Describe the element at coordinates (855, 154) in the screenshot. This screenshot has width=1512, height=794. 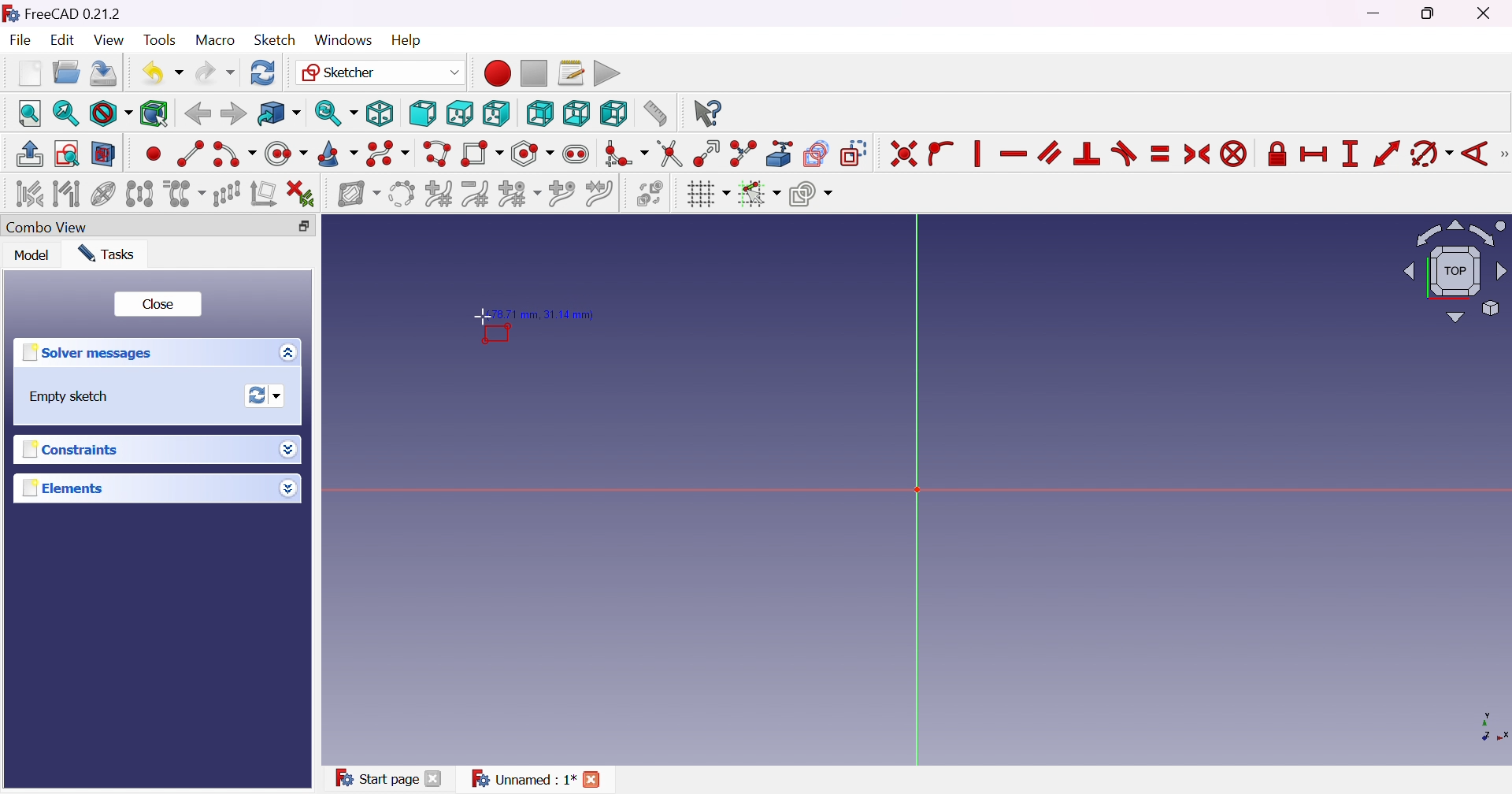
I see `Toggle construction geometry` at that location.